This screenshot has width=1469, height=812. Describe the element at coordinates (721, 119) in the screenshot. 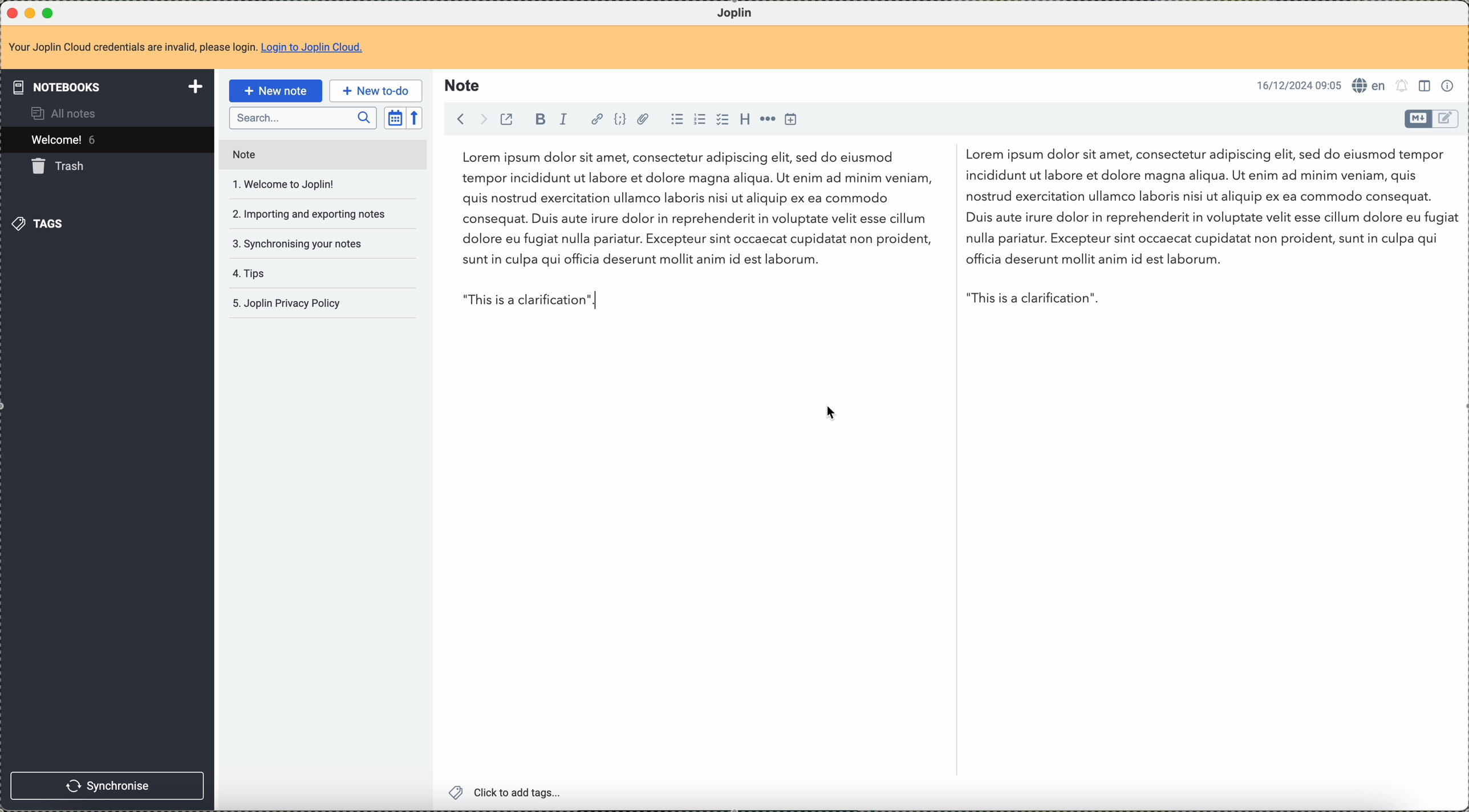

I see `checkbox` at that location.